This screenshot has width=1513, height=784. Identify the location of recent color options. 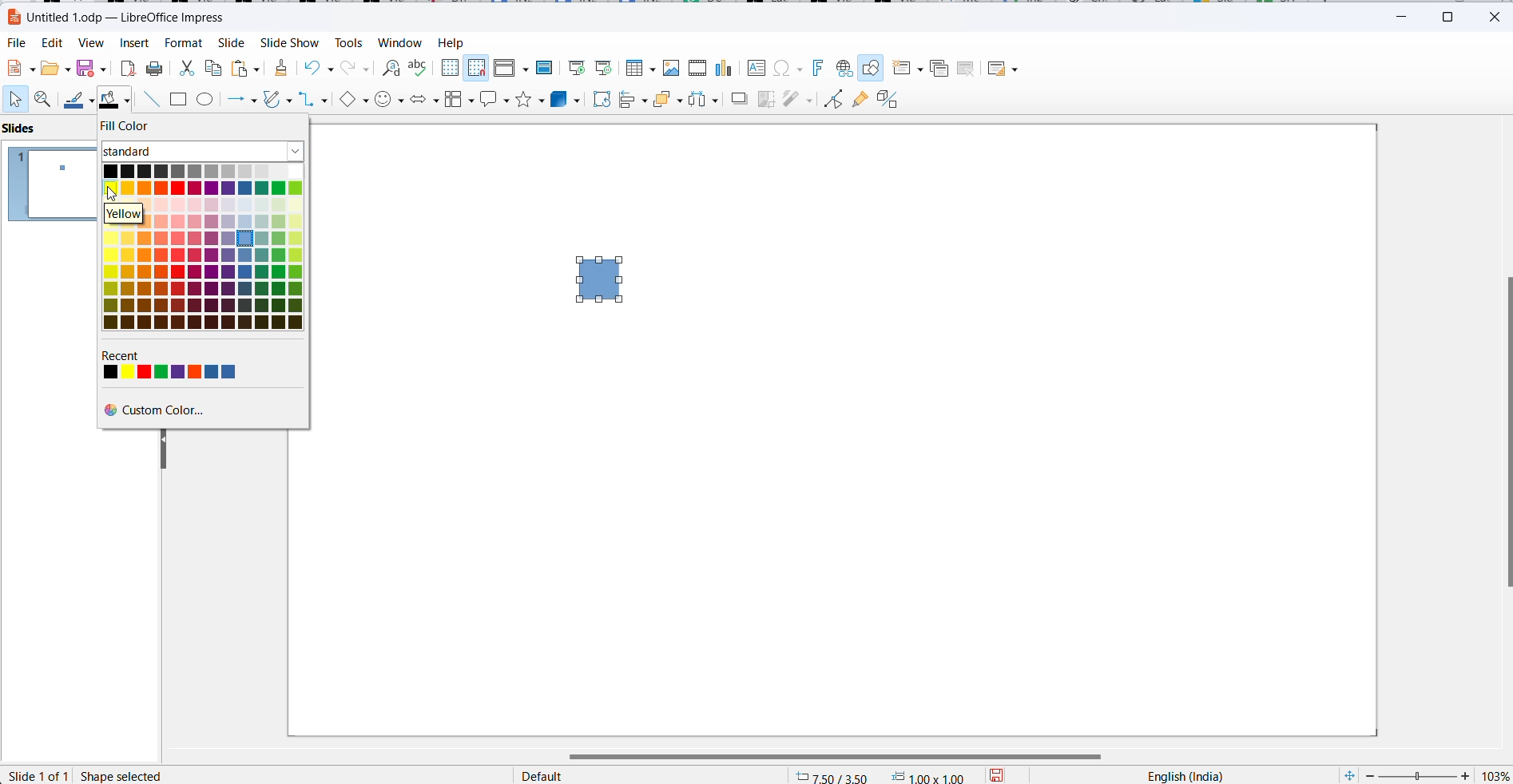
(181, 376).